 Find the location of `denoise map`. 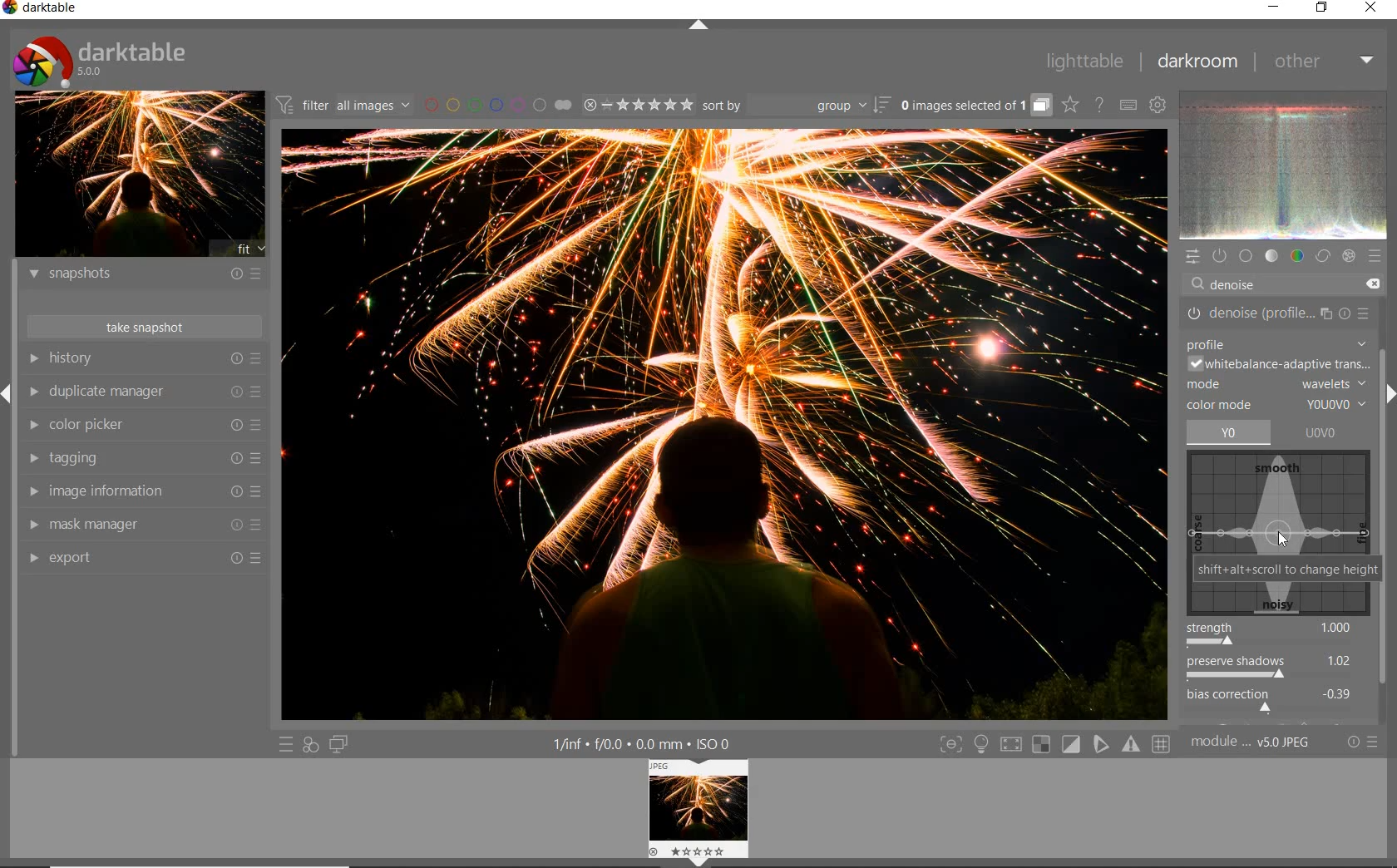

denoise map is located at coordinates (1279, 500).